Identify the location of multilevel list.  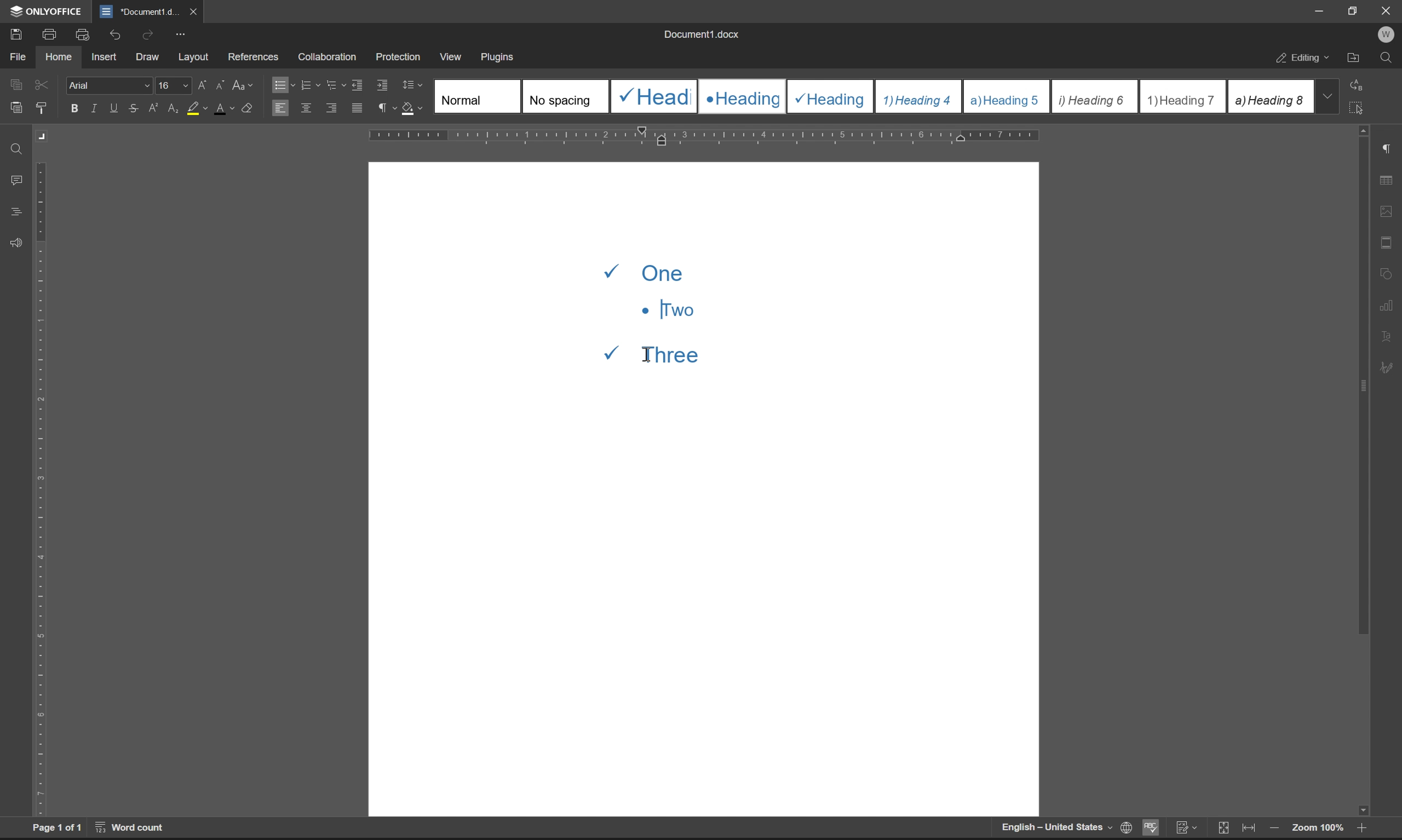
(337, 84).